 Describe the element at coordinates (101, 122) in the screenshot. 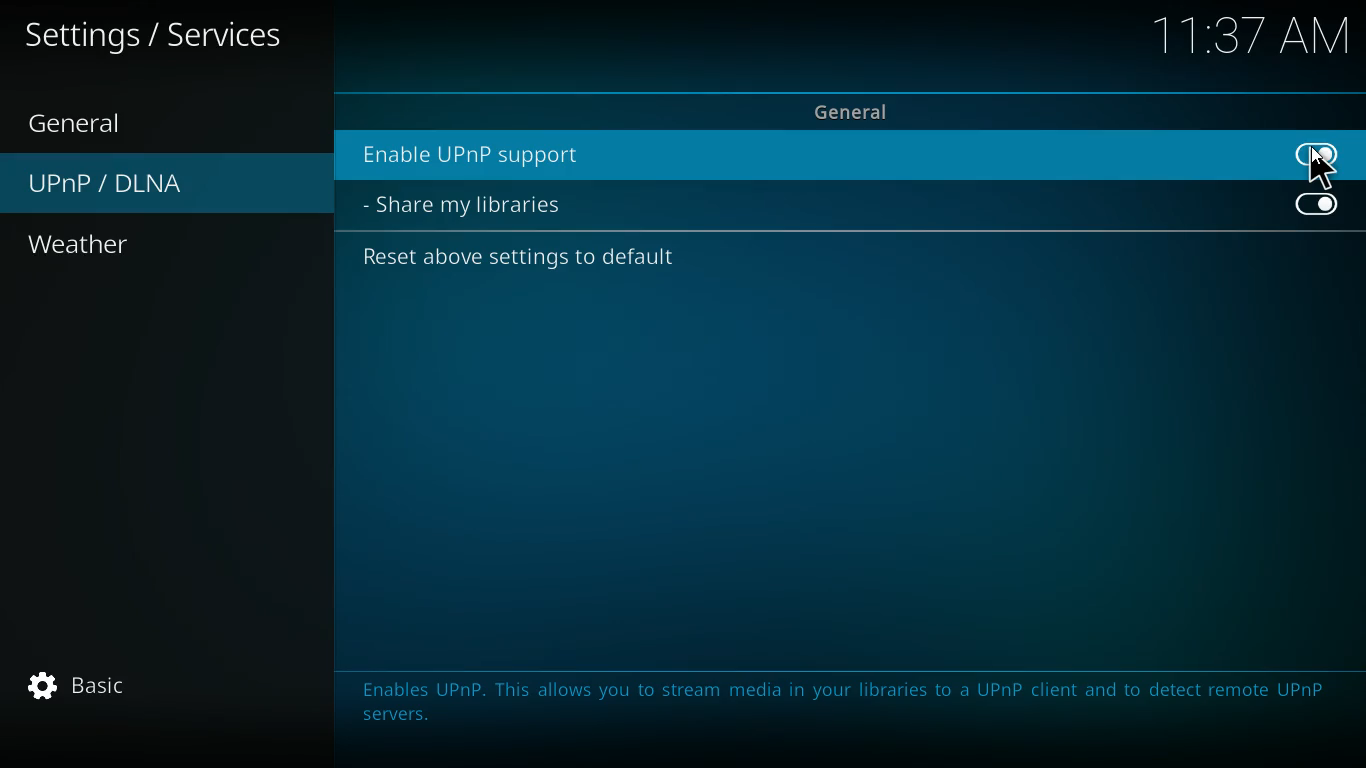

I see `general` at that location.